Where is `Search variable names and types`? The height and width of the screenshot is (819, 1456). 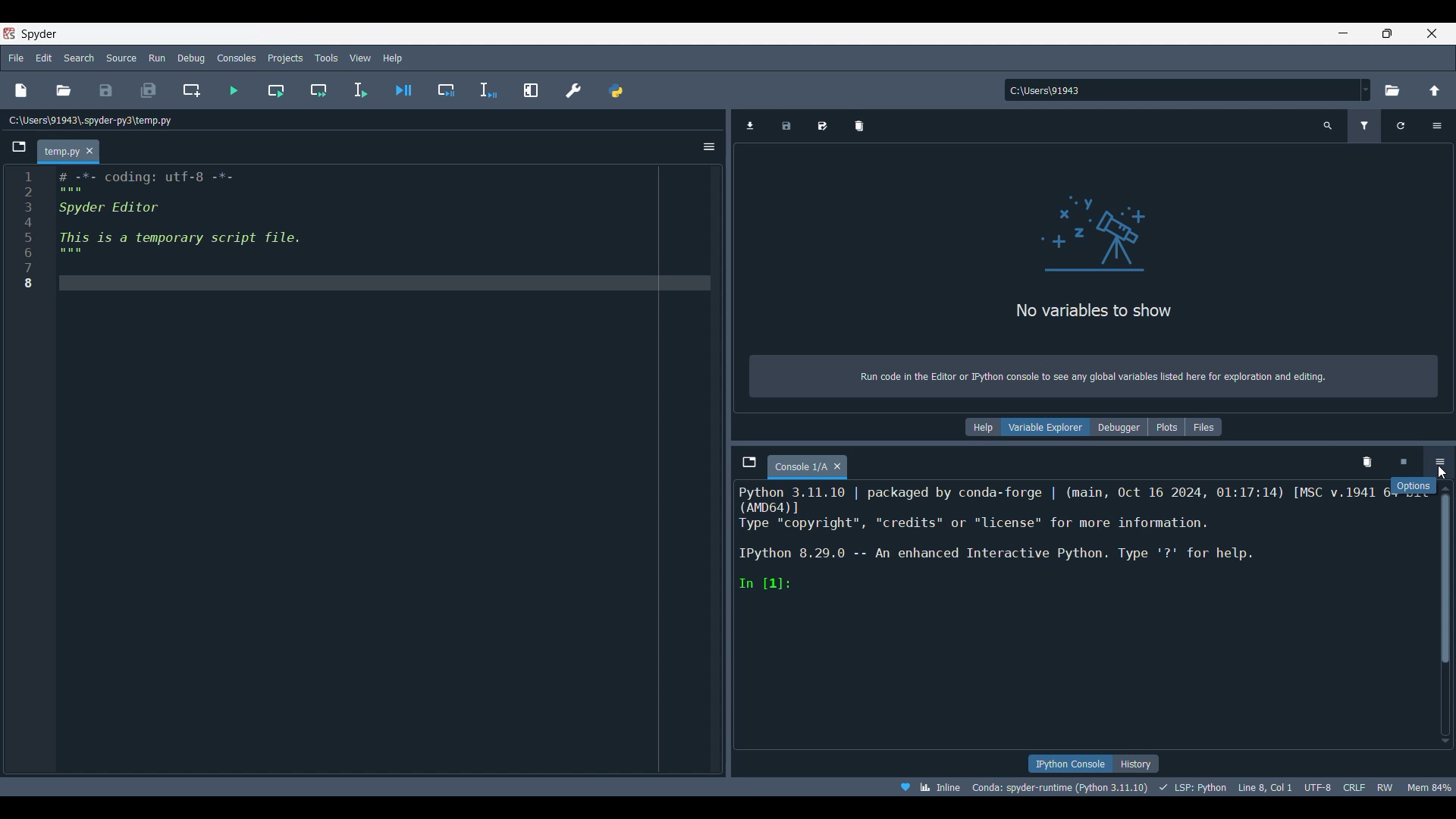
Search variable names and types is located at coordinates (1328, 126).